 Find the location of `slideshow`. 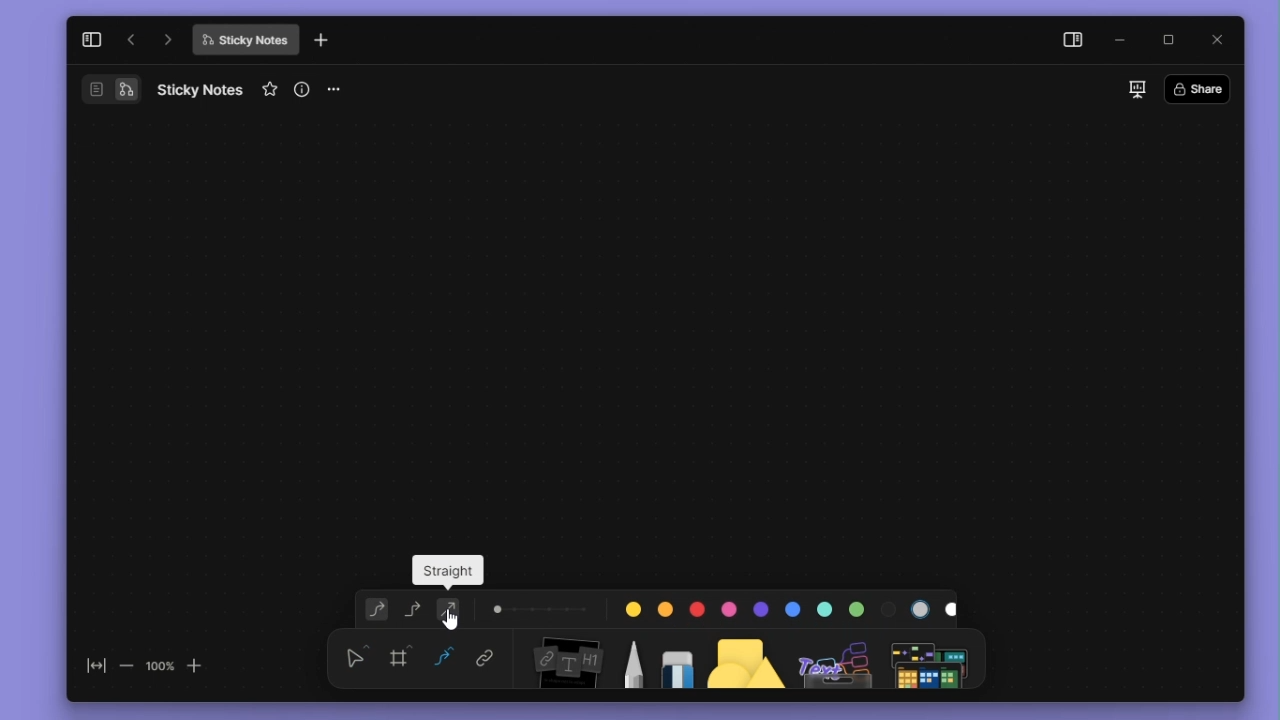

slideshow is located at coordinates (1136, 89).